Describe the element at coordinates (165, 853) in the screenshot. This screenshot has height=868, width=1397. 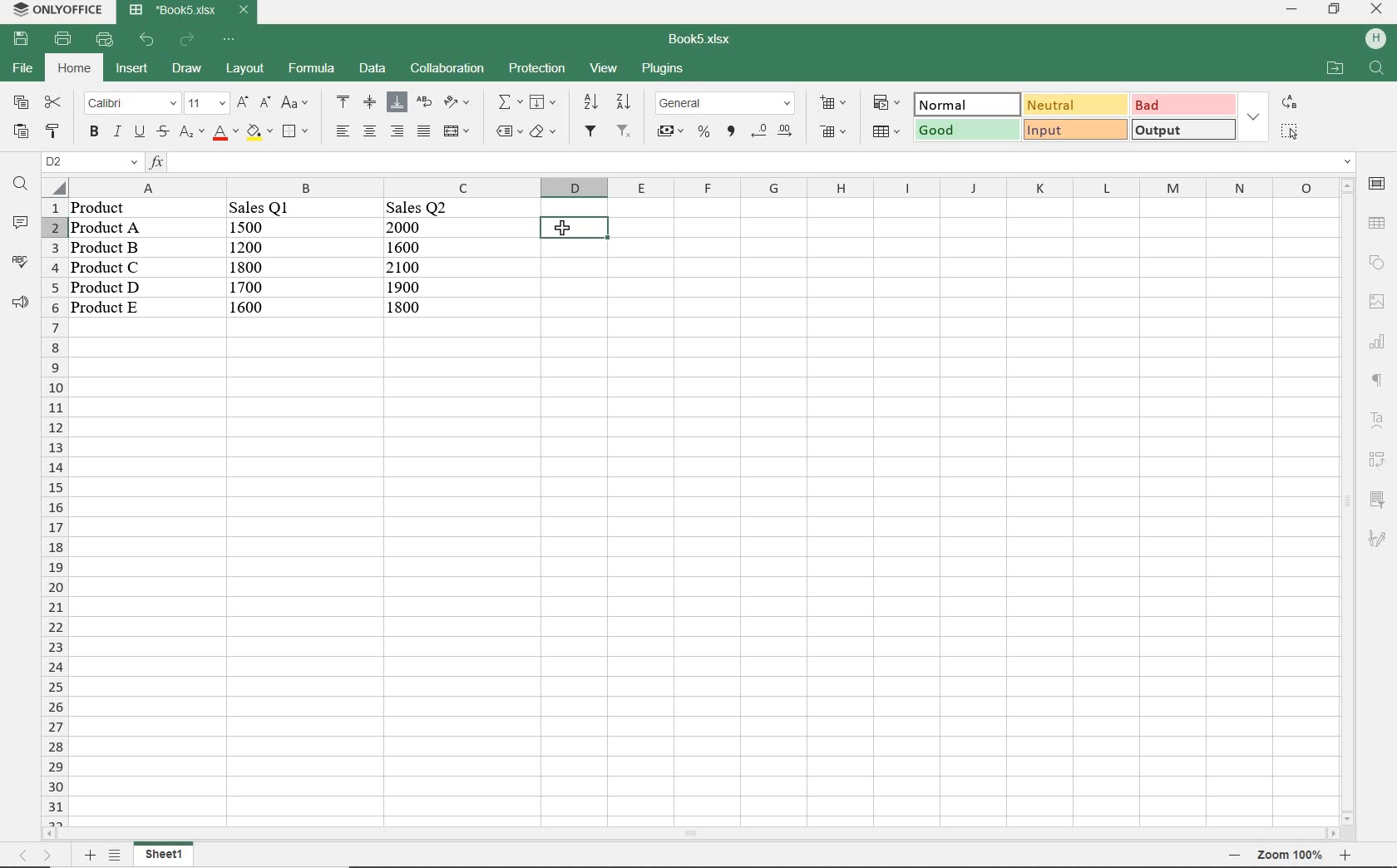
I see `sheet 1` at that location.